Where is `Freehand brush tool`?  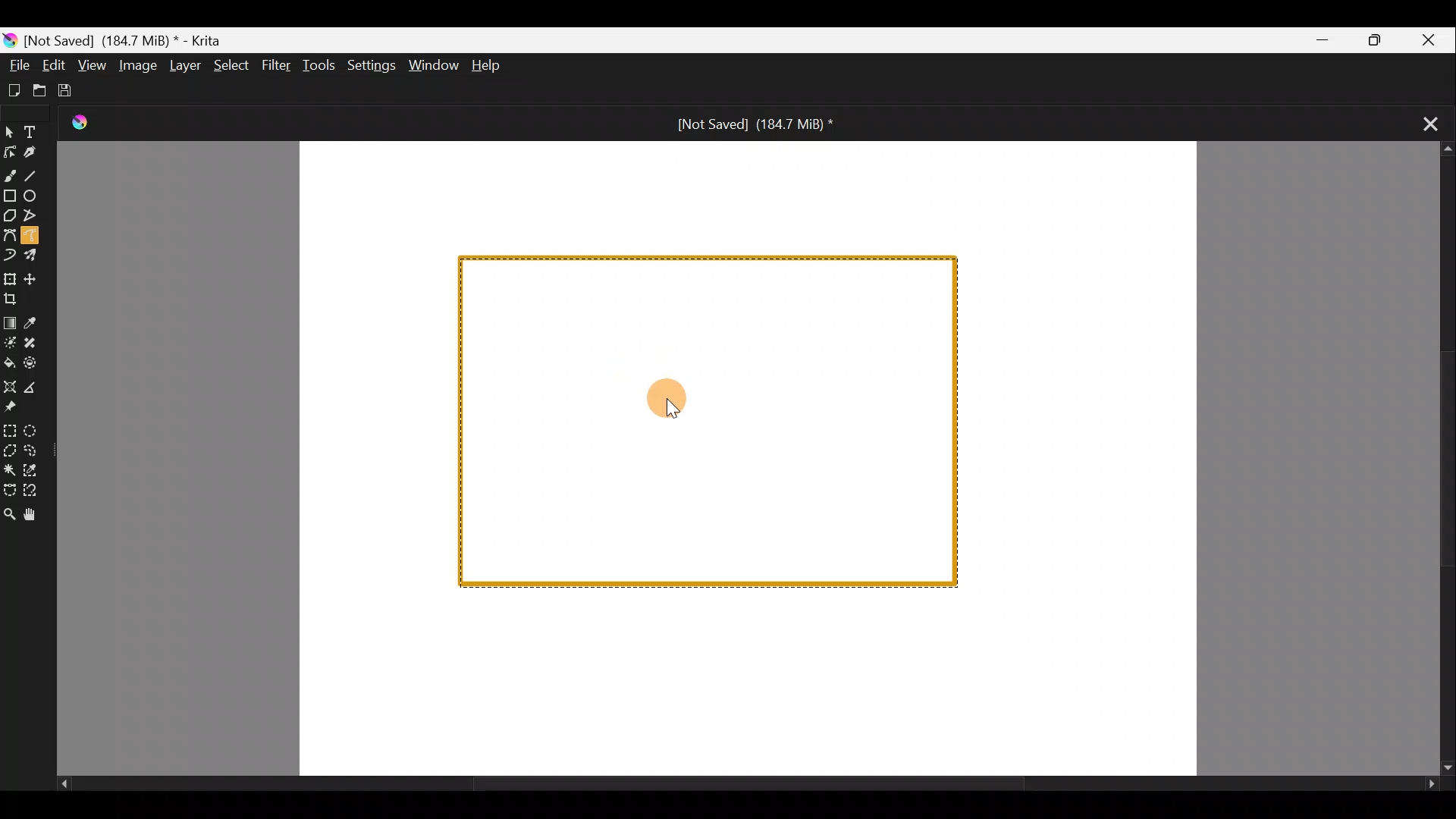 Freehand brush tool is located at coordinates (9, 175).